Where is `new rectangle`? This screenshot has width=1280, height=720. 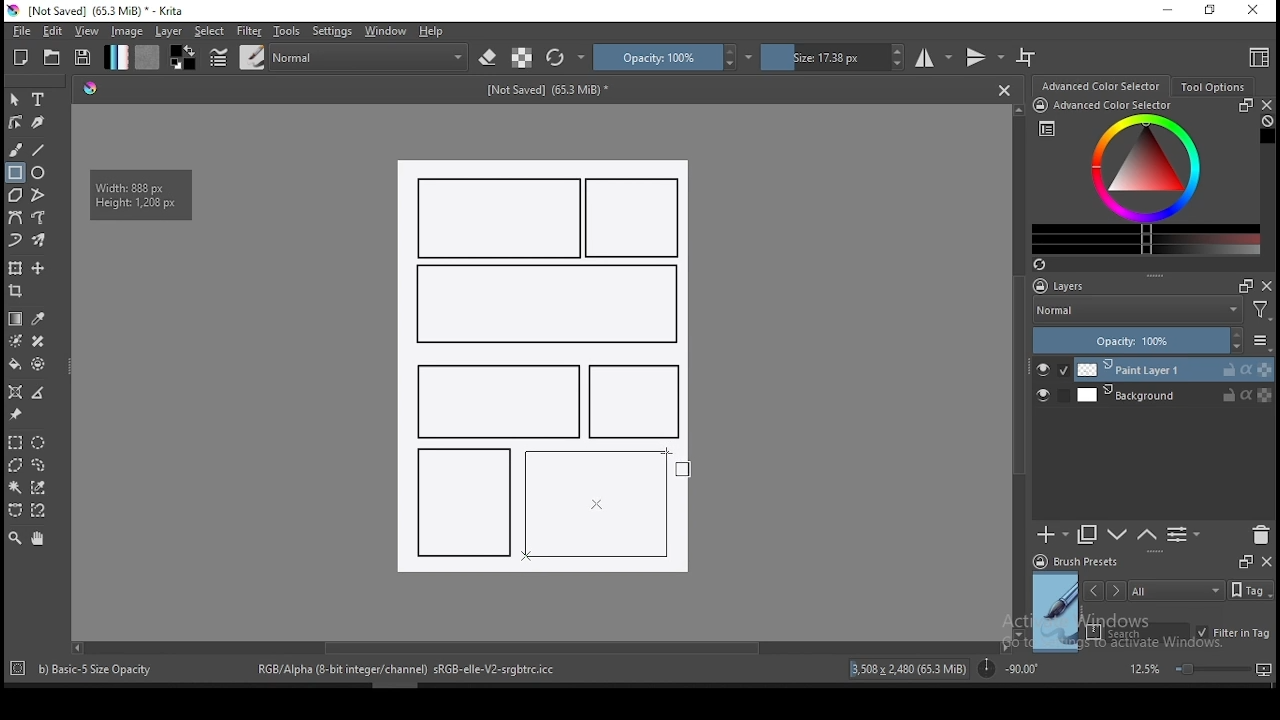 new rectangle is located at coordinates (636, 219).